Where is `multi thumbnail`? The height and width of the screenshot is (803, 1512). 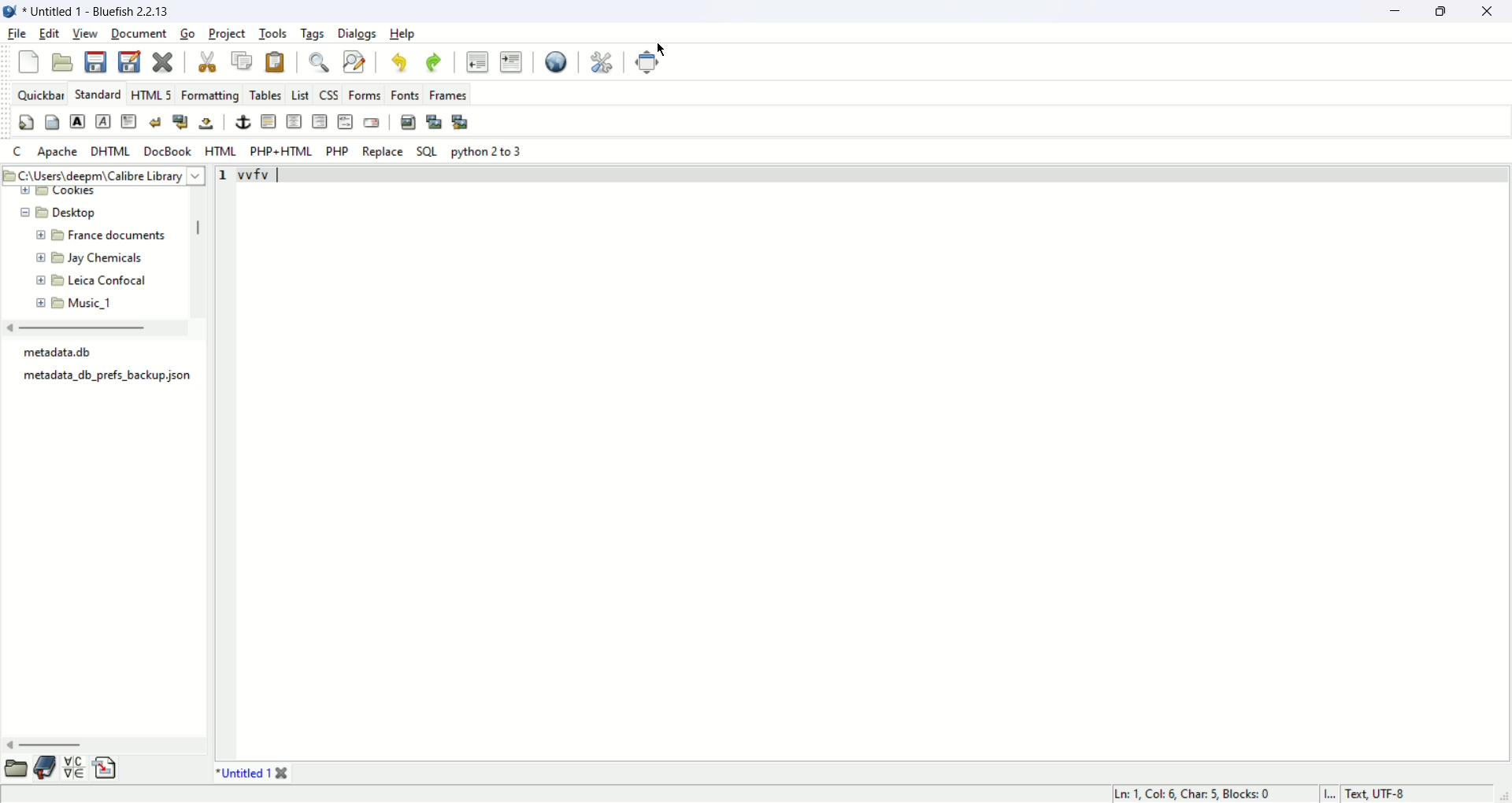 multi thumbnail is located at coordinates (460, 120).